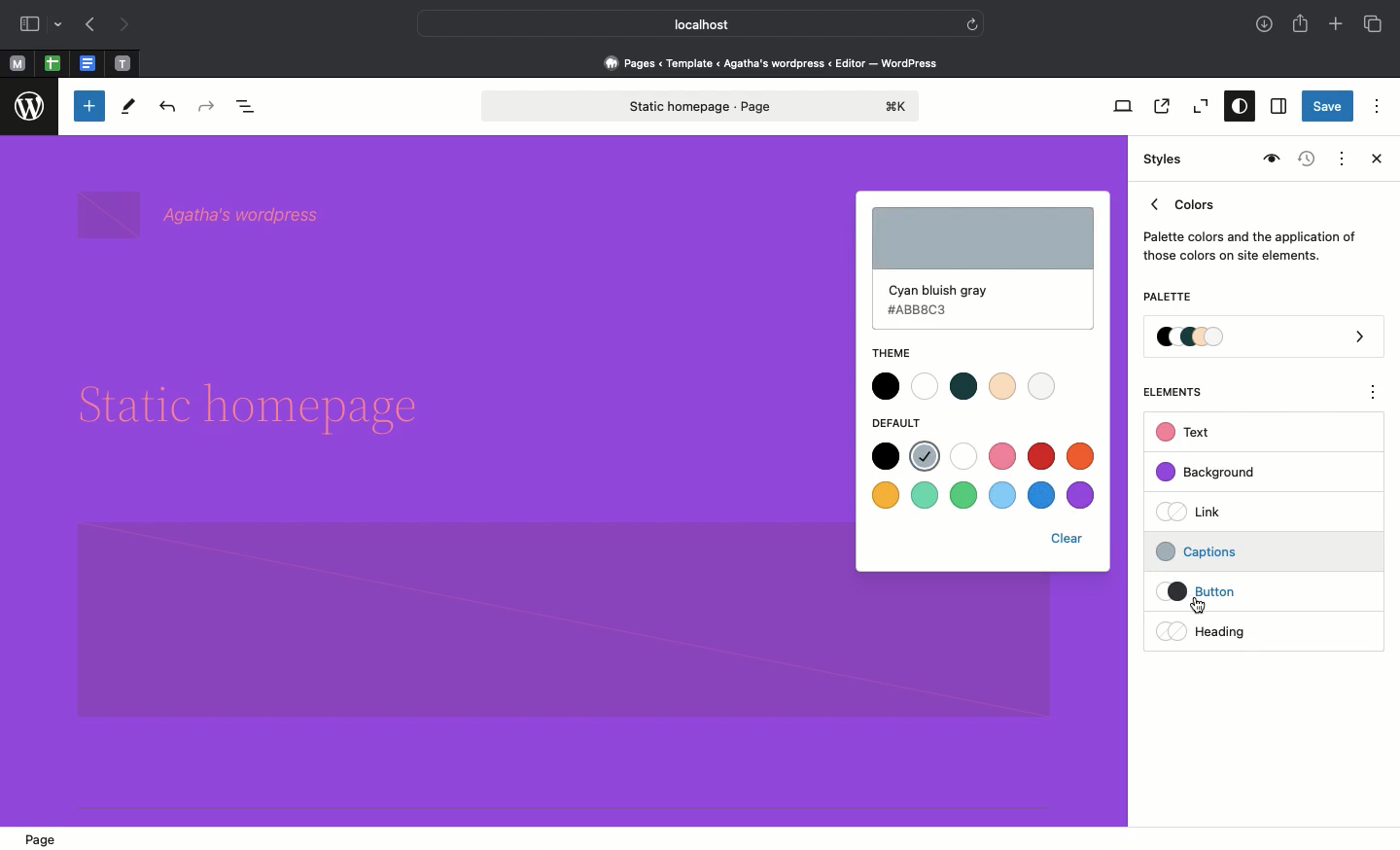 This screenshot has height=850, width=1400. What do you see at coordinates (703, 106) in the screenshot?
I see `Static homepage` at bounding box center [703, 106].